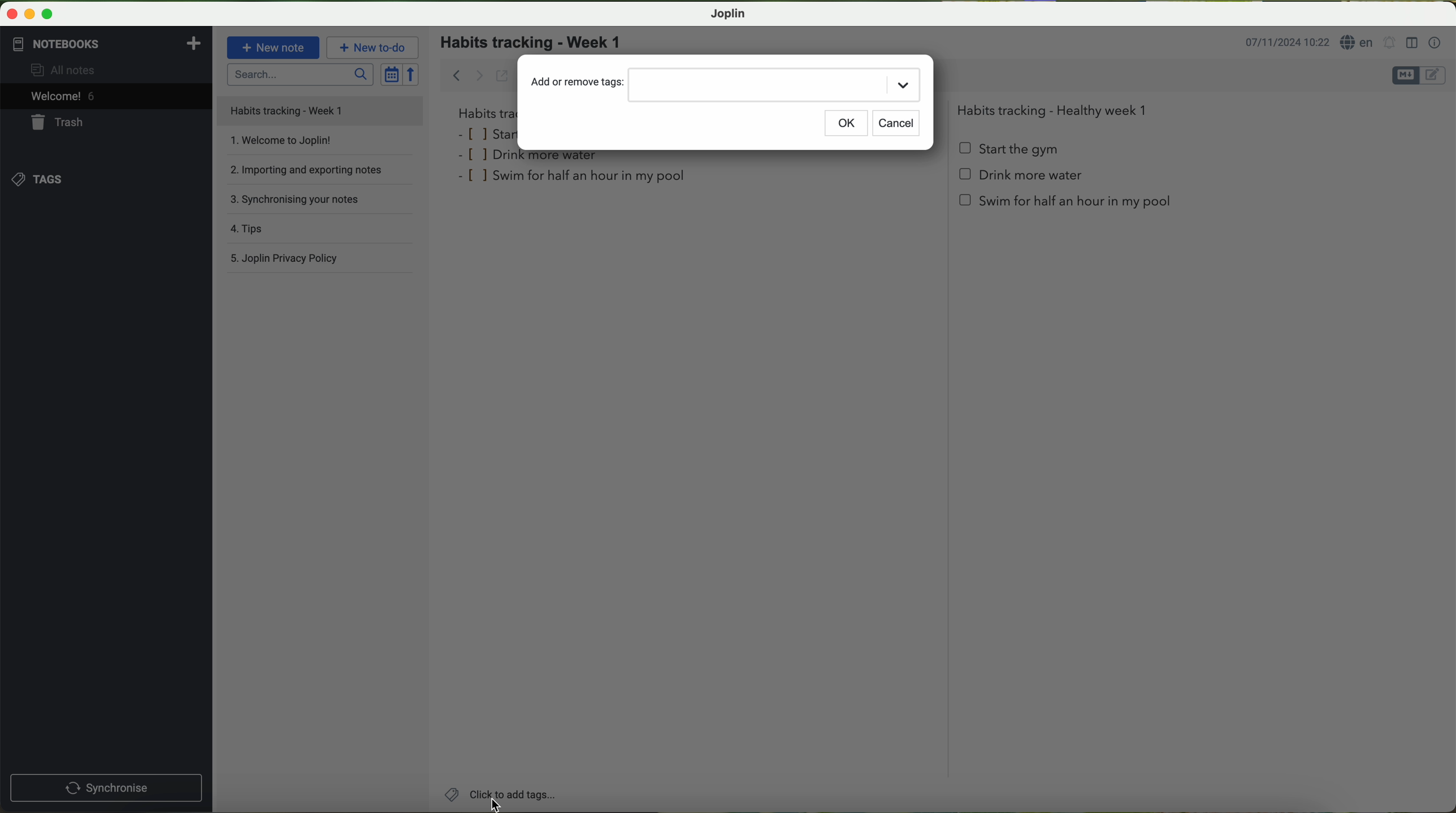 Image resolution: width=1456 pixels, height=813 pixels. Describe the element at coordinates (320, 111) in the screenshot. I see `file title` at that location.